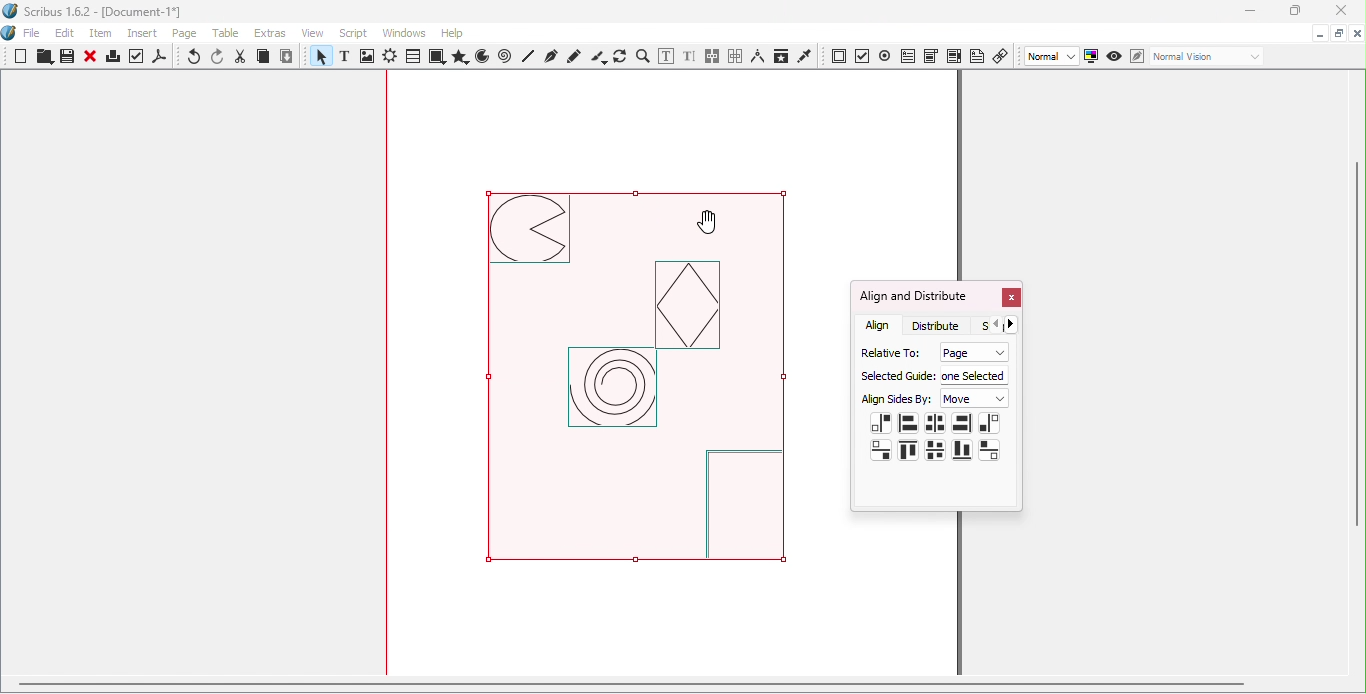 This screenshot has height=694, width=1366. I want to click on Bezier curve tool, so click(550, 56).